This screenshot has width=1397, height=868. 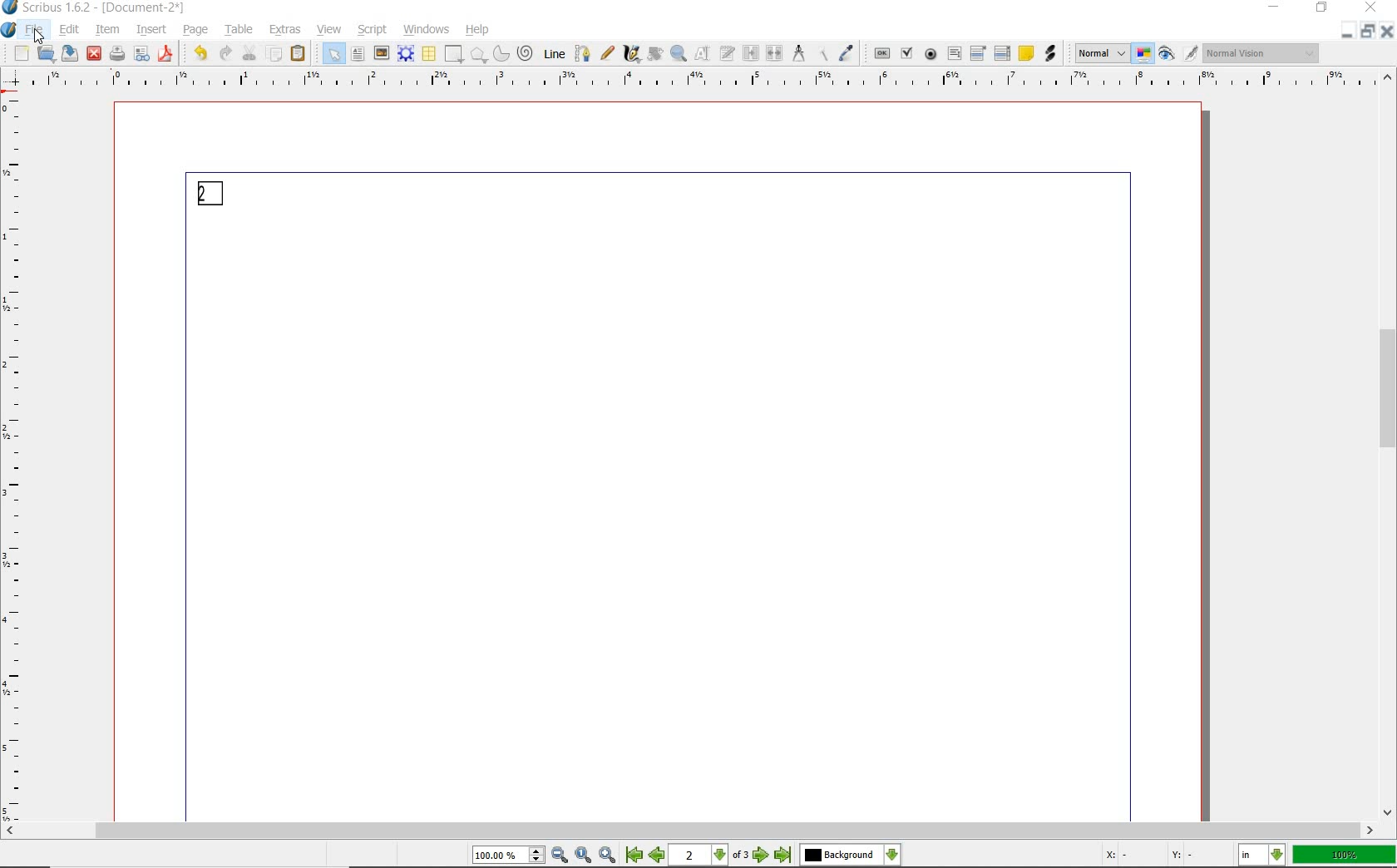 What do you see at coordinates (358, 55) in the screenshot?
I see `text frame` at bounding box center [358, 55].